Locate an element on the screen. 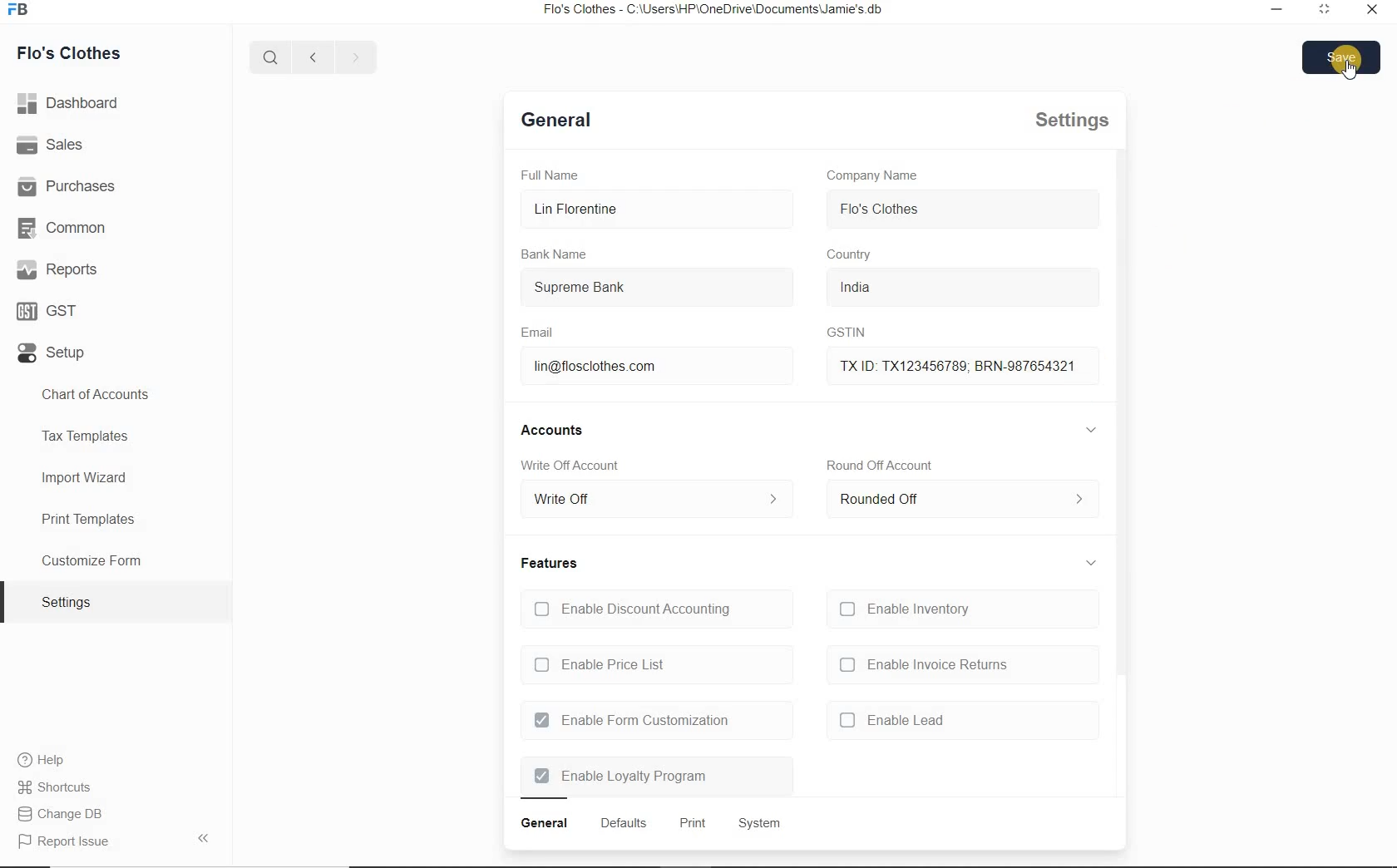 The height and width of the screenshot is (868, 1397). print is located at coordinates (691, 825).